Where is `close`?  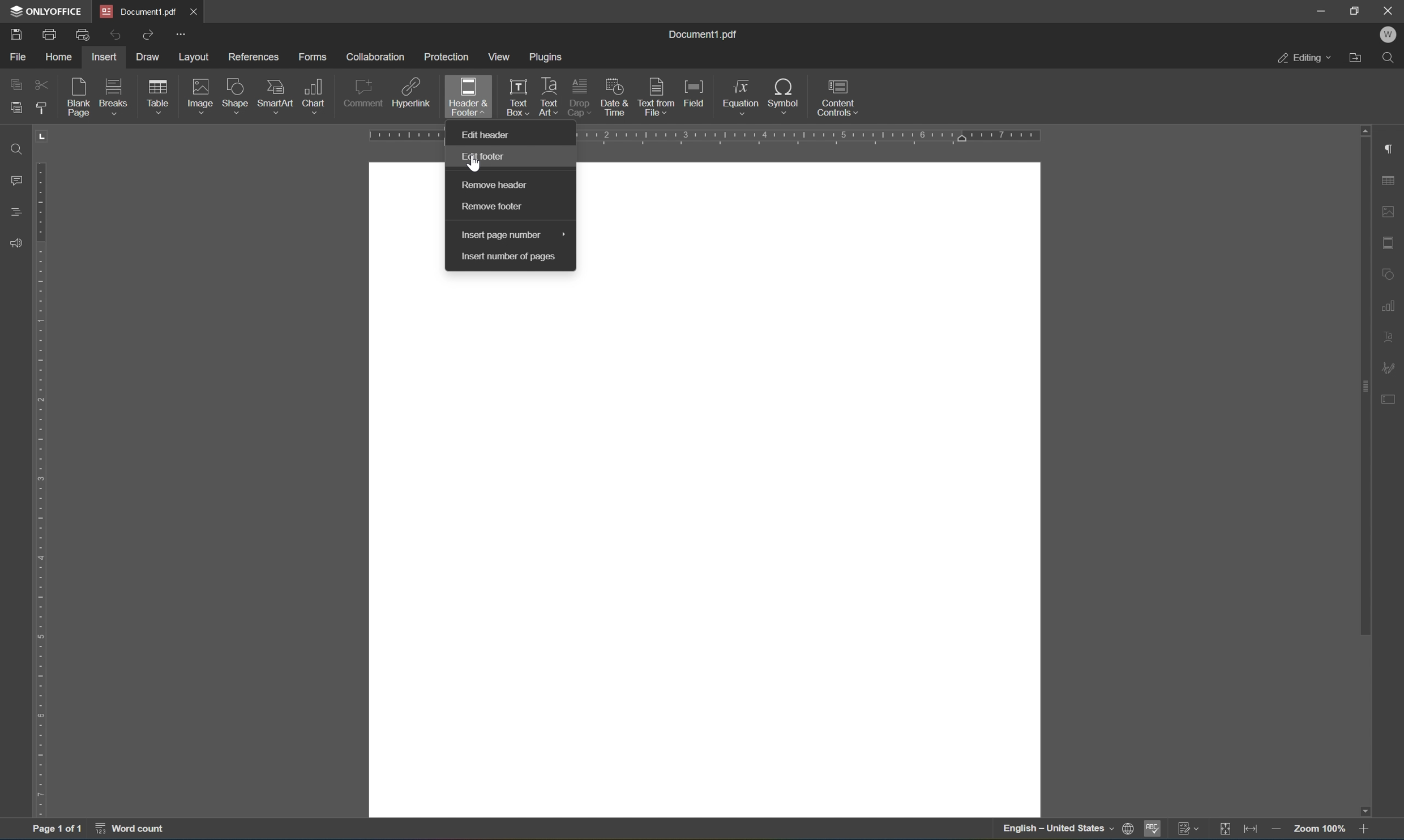 close is located at coordinates (1390, 11).